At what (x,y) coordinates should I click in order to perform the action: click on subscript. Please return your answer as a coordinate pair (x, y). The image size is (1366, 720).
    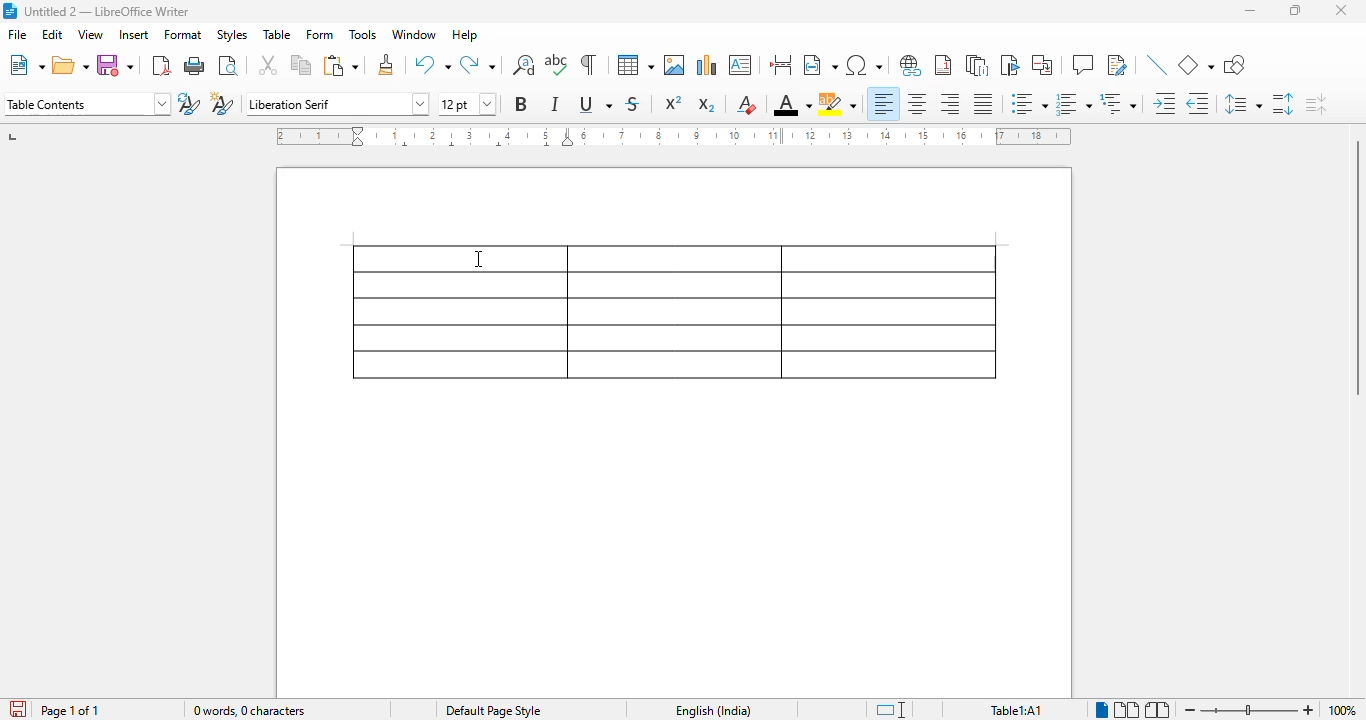
    Looking at the image, I should click on (705, 105).